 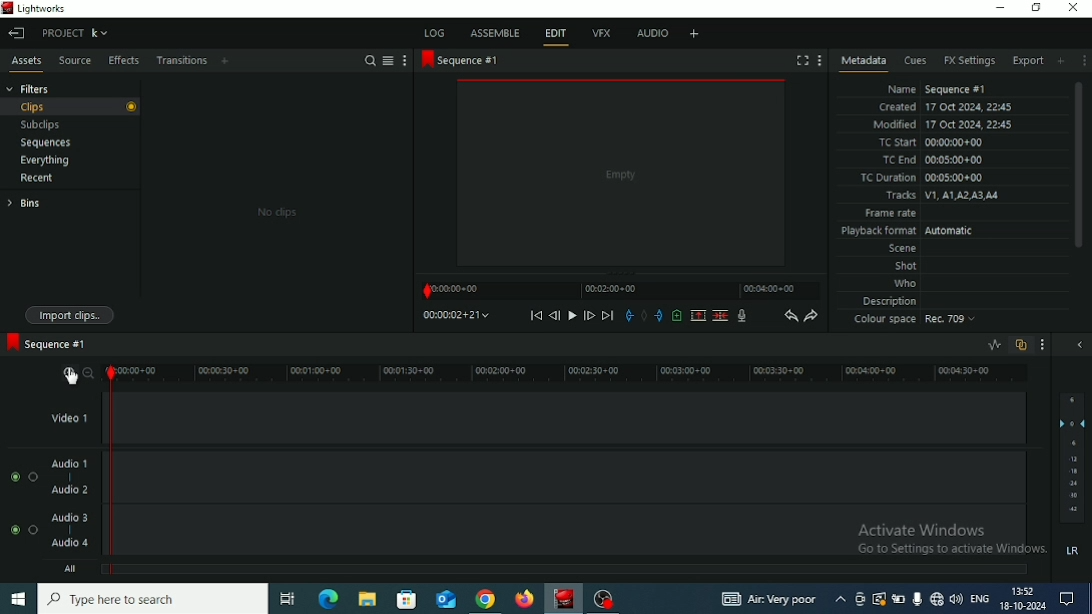 I want to click on Mute/unmute this track, so click(x=14, y=530).